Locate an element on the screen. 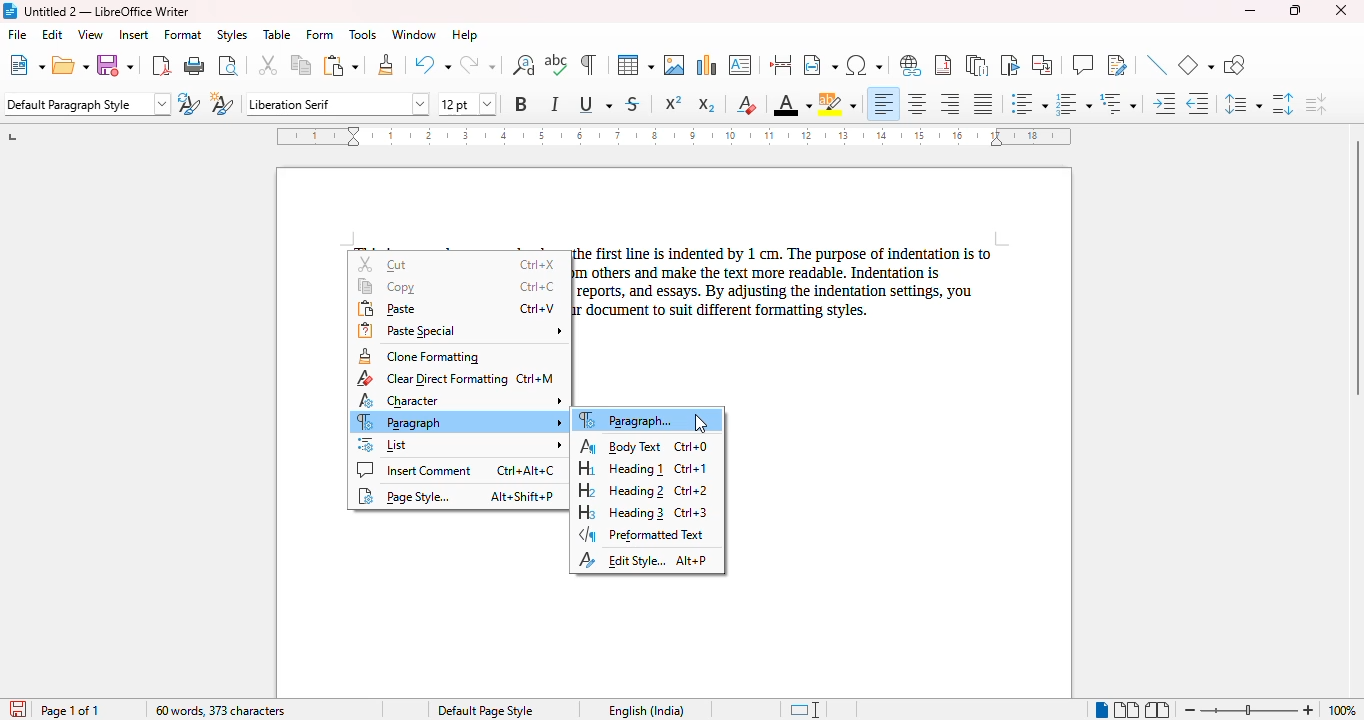  book view is located at coordinates (1158, 709).